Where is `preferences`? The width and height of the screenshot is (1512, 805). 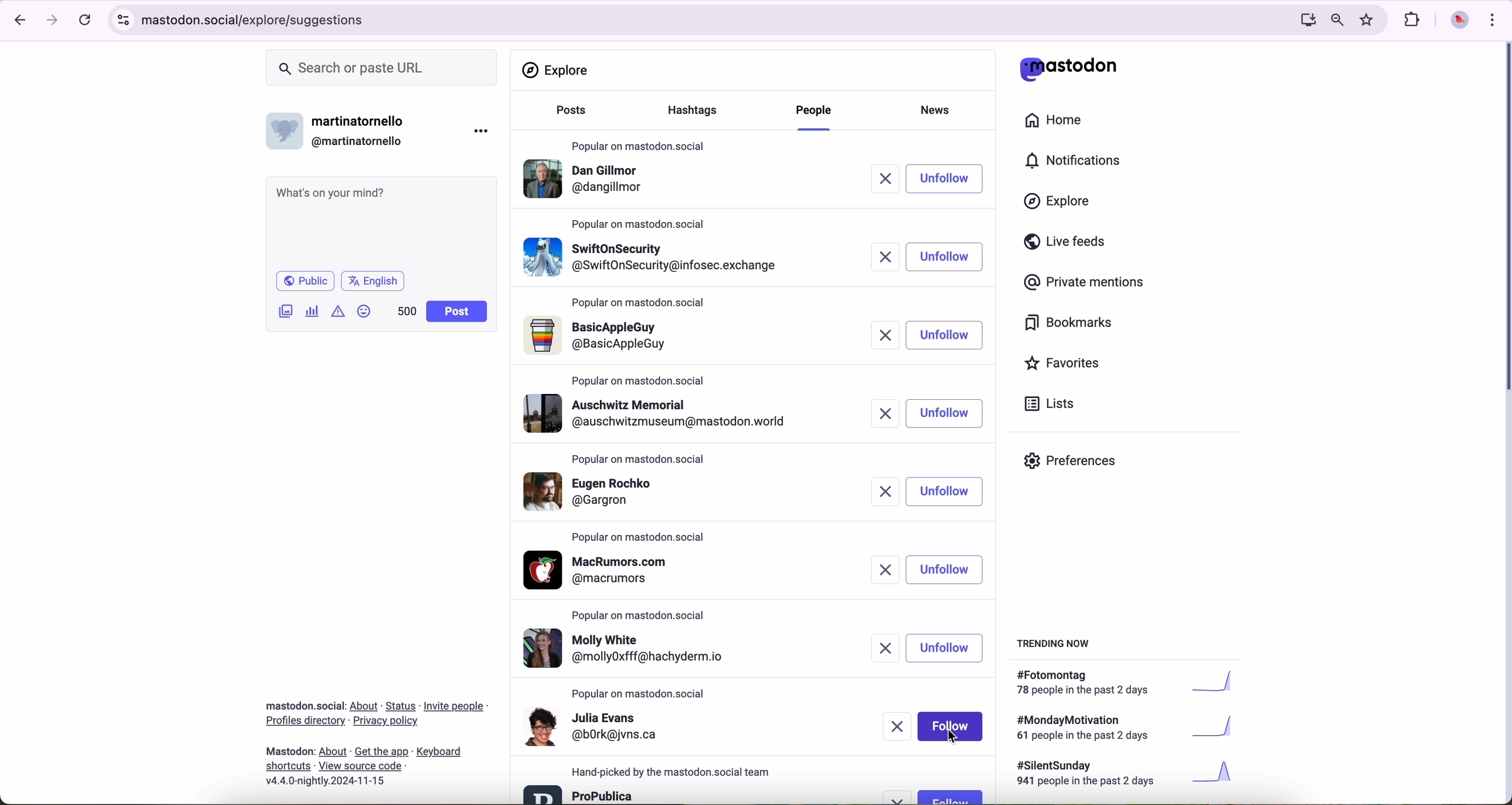 preferences is located at coordinates (1079, 465).